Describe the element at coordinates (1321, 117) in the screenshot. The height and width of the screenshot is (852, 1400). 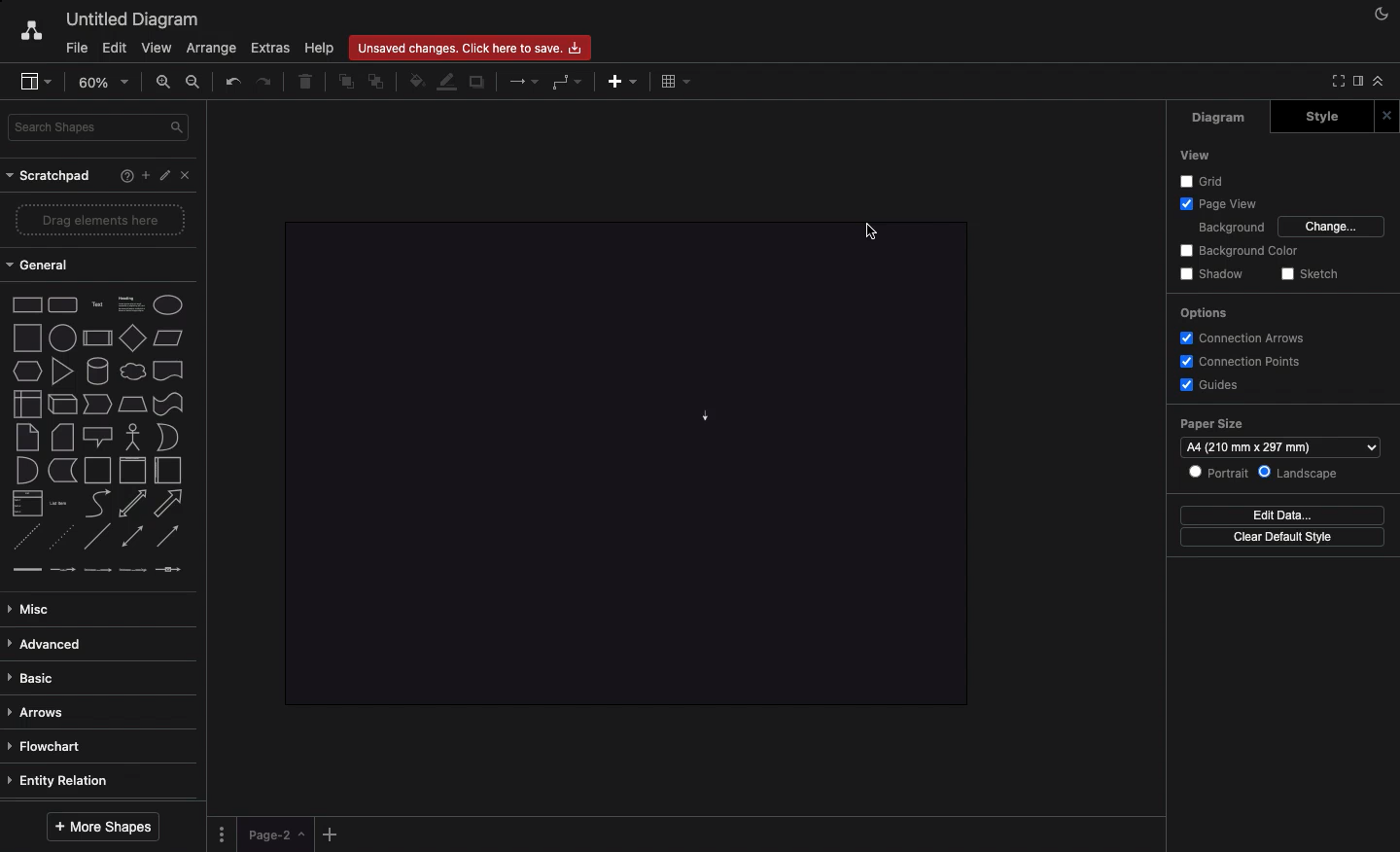
I see `Style` at that location.